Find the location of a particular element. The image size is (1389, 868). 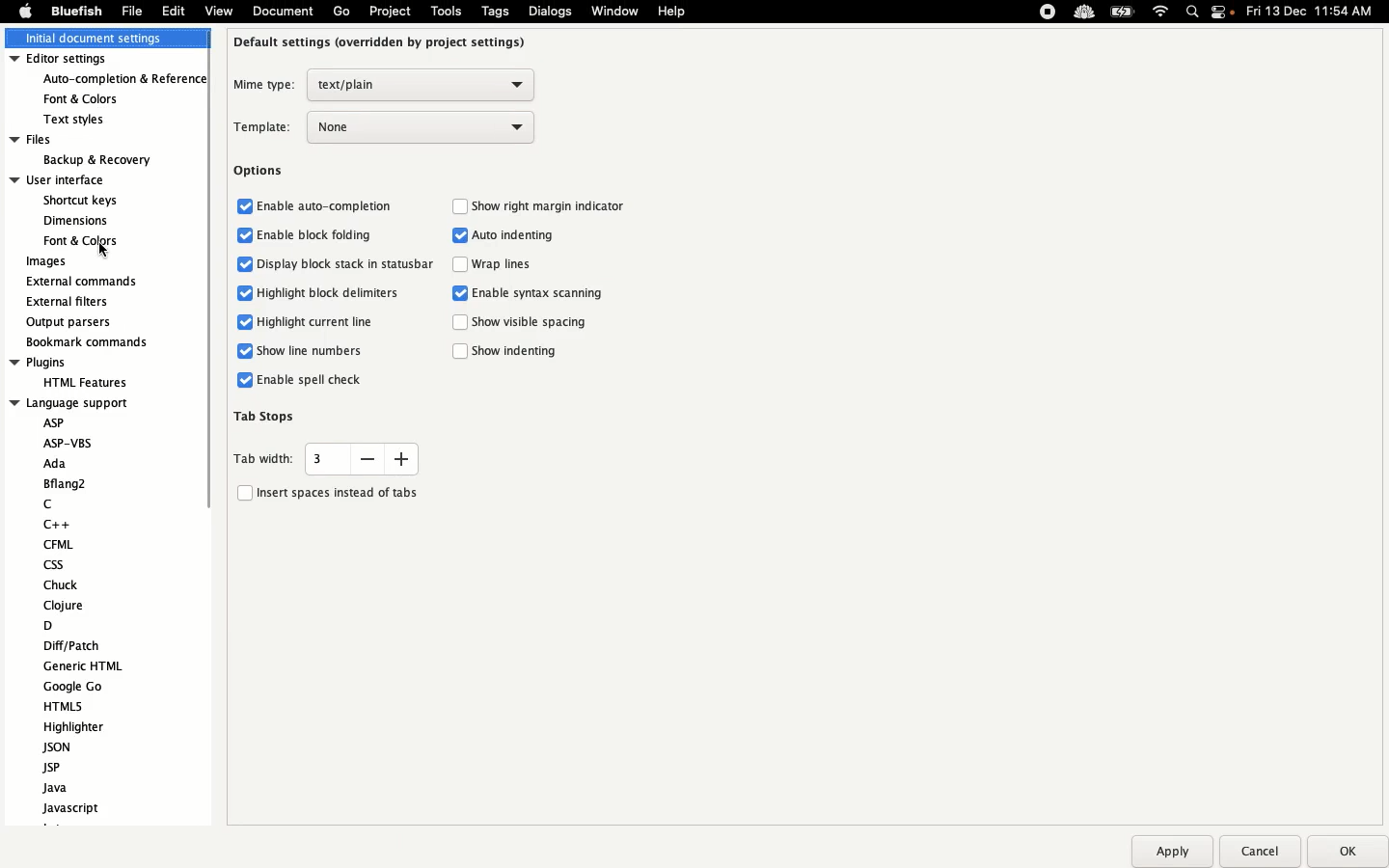

External commands is located at coordinates (82, 282).